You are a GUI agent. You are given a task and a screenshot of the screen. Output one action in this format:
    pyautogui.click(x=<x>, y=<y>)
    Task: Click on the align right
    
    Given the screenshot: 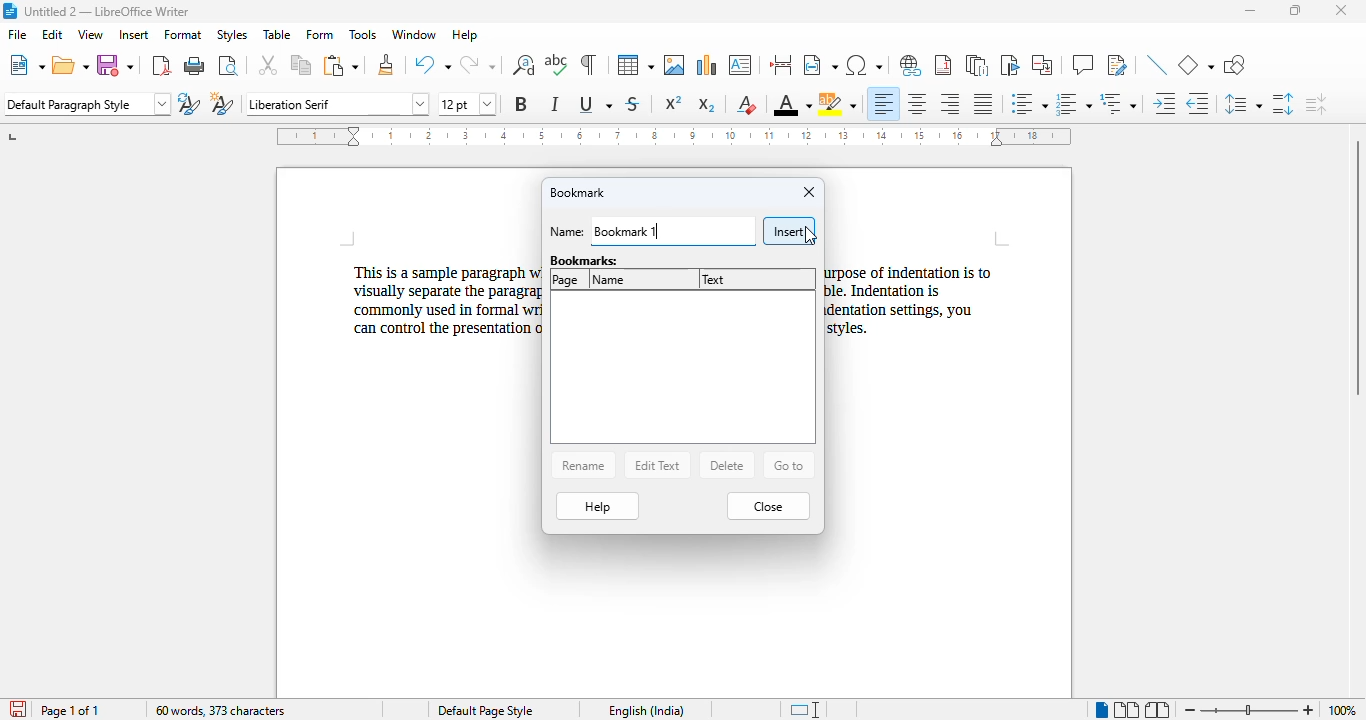 What is the action you would take?
    pyautogui.click(x=949, y=103)
    